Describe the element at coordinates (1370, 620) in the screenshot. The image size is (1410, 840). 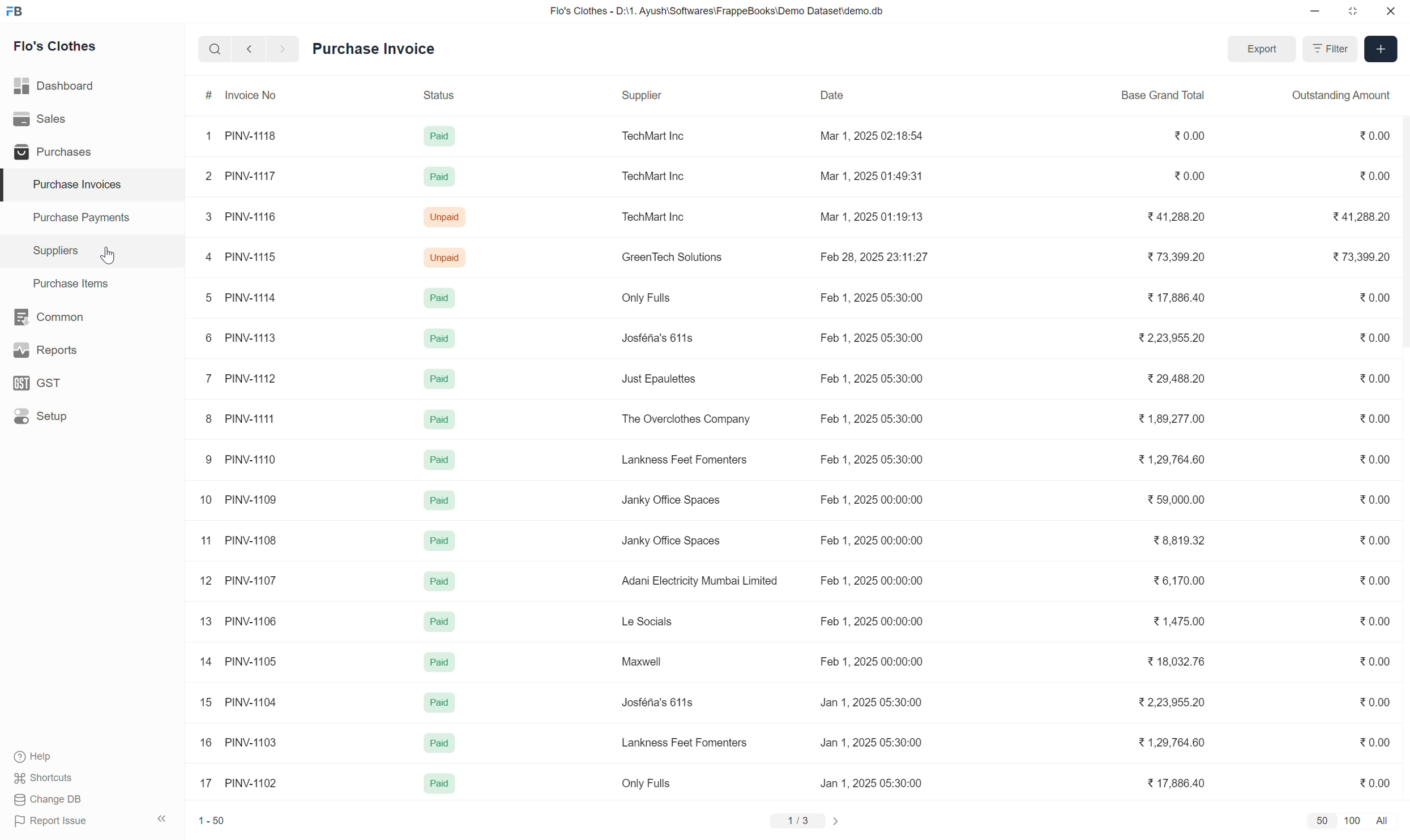
I see `% 0.00` at that location.